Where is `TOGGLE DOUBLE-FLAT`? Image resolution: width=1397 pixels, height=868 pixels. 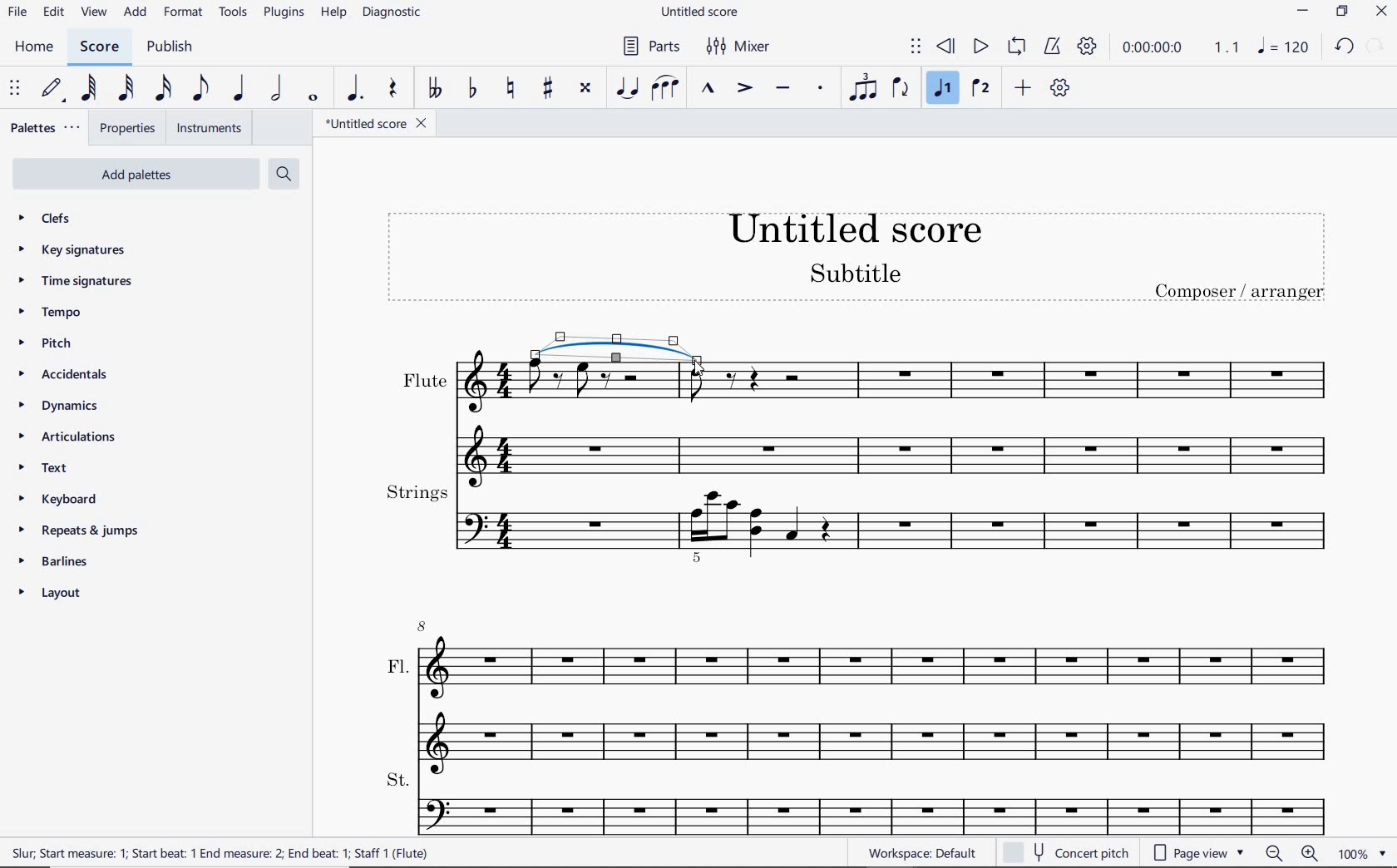 TOGGLE DOUBLE-FLAT is located at coordinates (432, 88).